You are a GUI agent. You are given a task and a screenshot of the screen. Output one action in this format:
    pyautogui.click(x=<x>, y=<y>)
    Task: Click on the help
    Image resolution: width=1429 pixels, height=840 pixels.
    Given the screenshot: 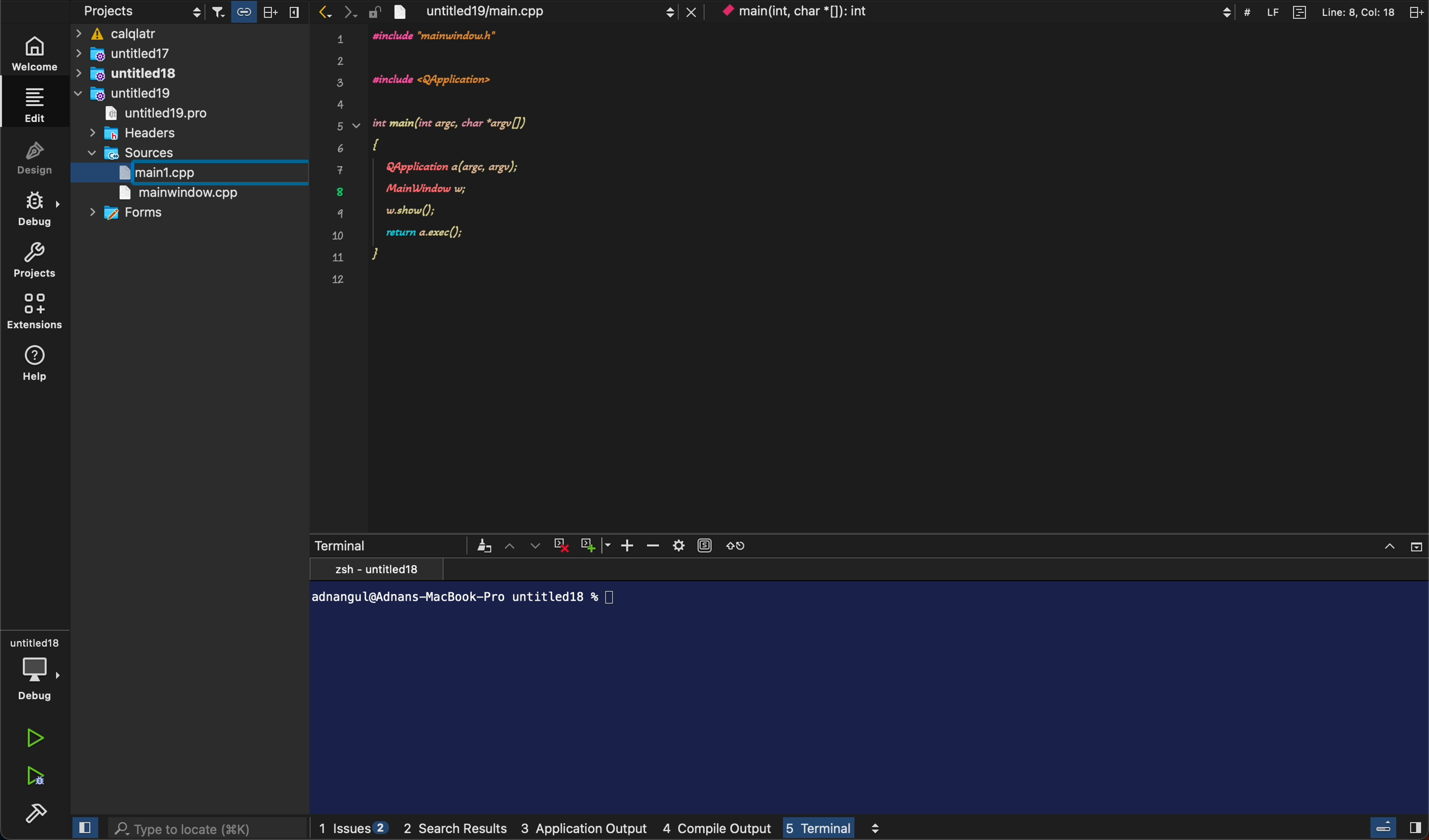 What is the action you would take?
    pyautogui.click(x=41, y=366)
    